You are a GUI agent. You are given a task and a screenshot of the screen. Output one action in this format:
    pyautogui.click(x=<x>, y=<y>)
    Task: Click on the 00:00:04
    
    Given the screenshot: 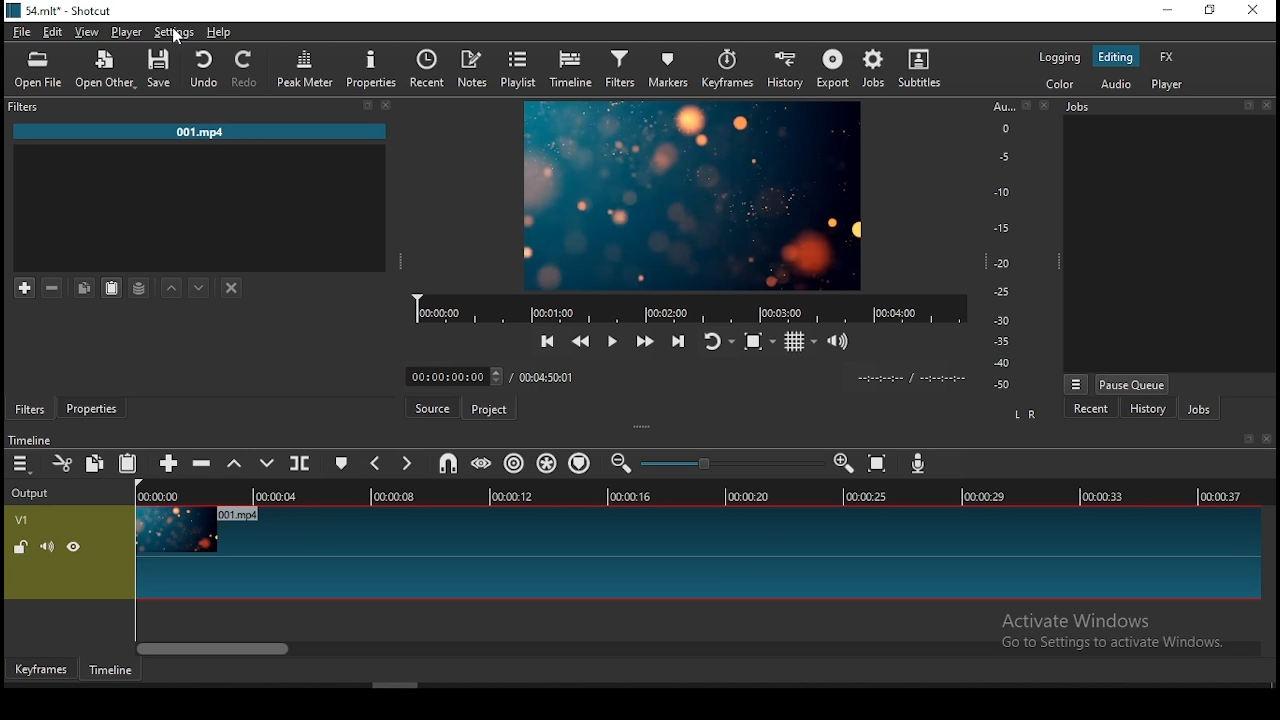 What is the action you would take?
    pyautogui.click(x=279, y=496)
    